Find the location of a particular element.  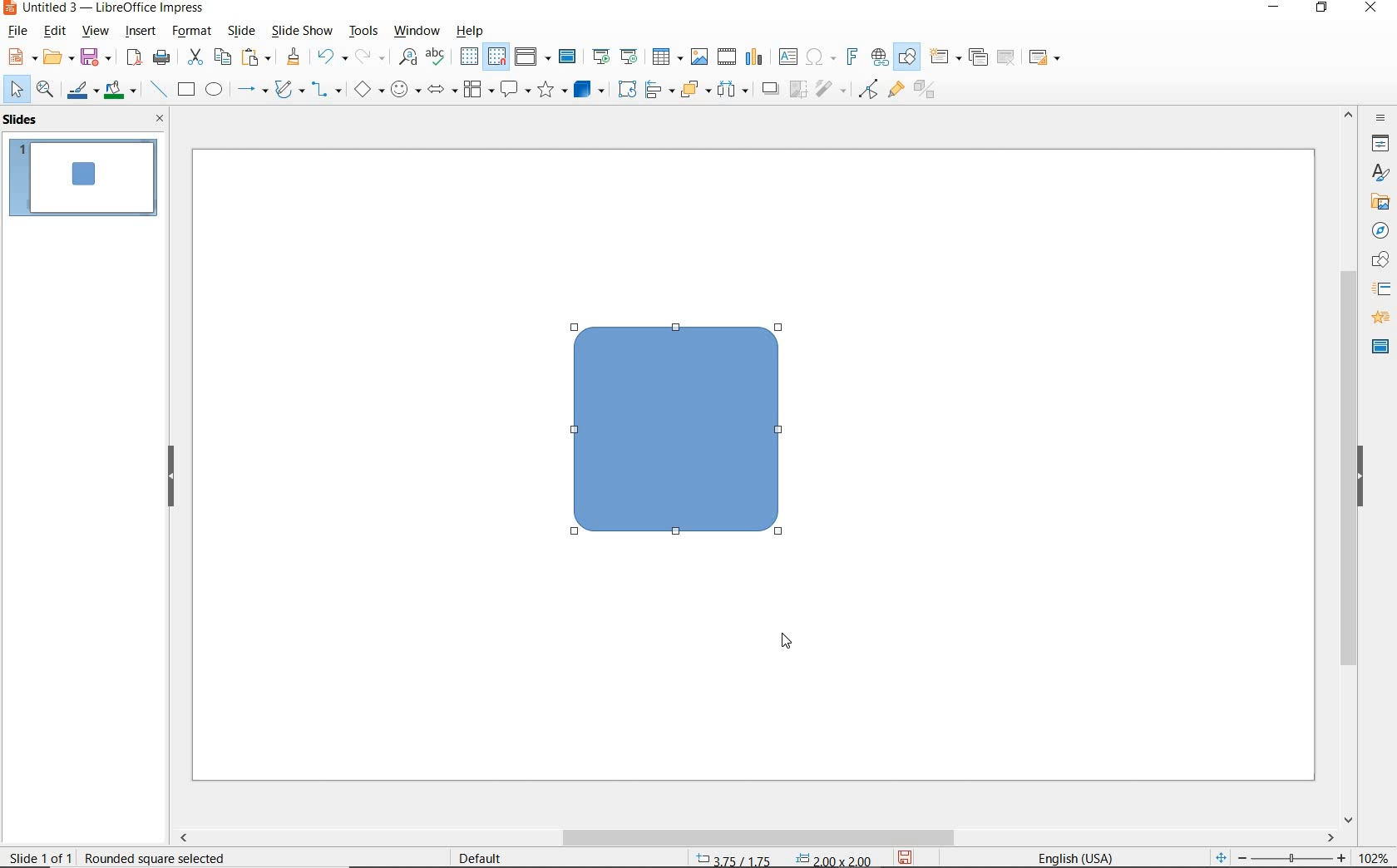

insert frontwork text is located at coordinates (852, 57).